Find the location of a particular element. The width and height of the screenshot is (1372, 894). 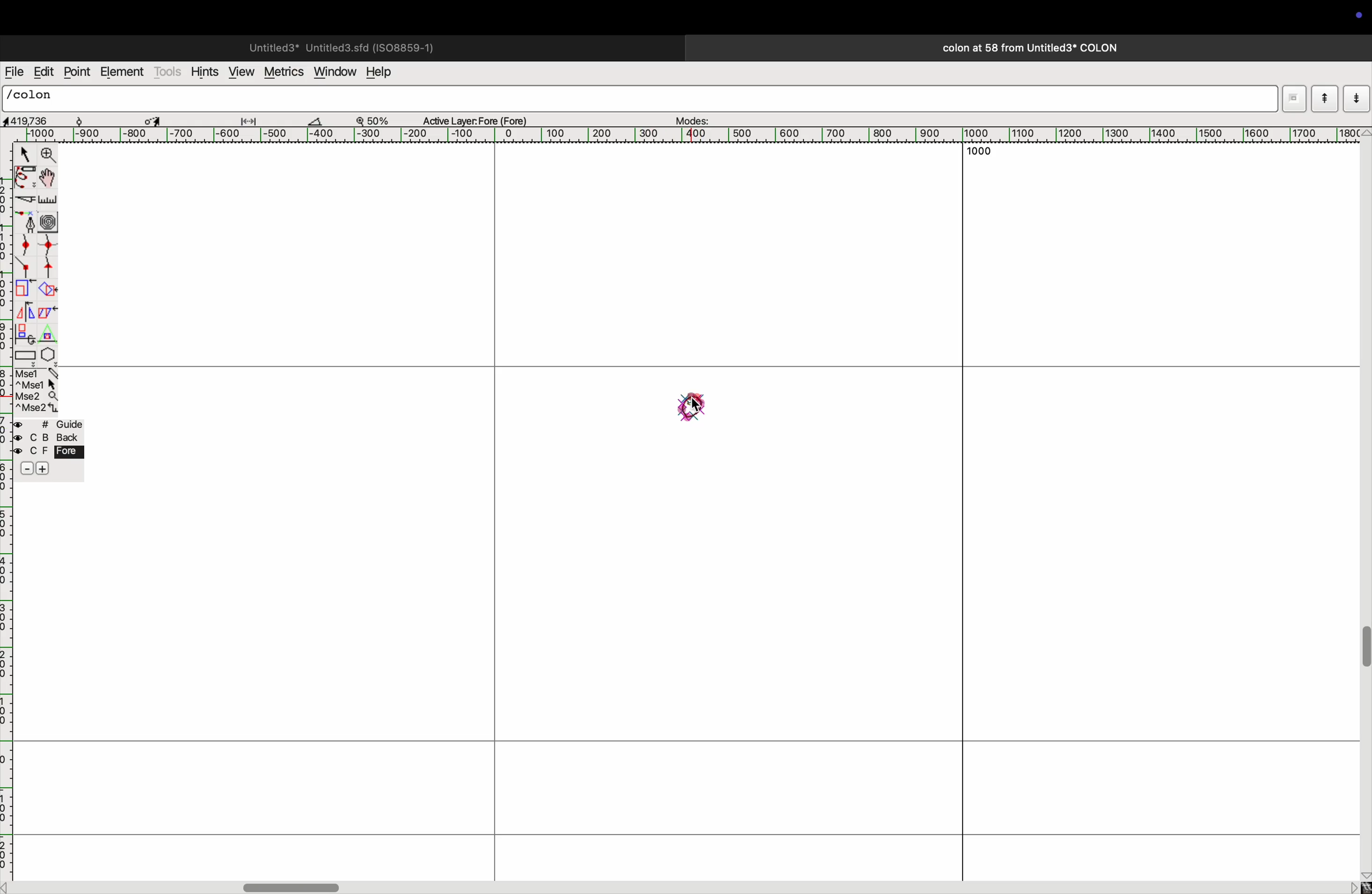

metrics is located at coordinates (282, 72).